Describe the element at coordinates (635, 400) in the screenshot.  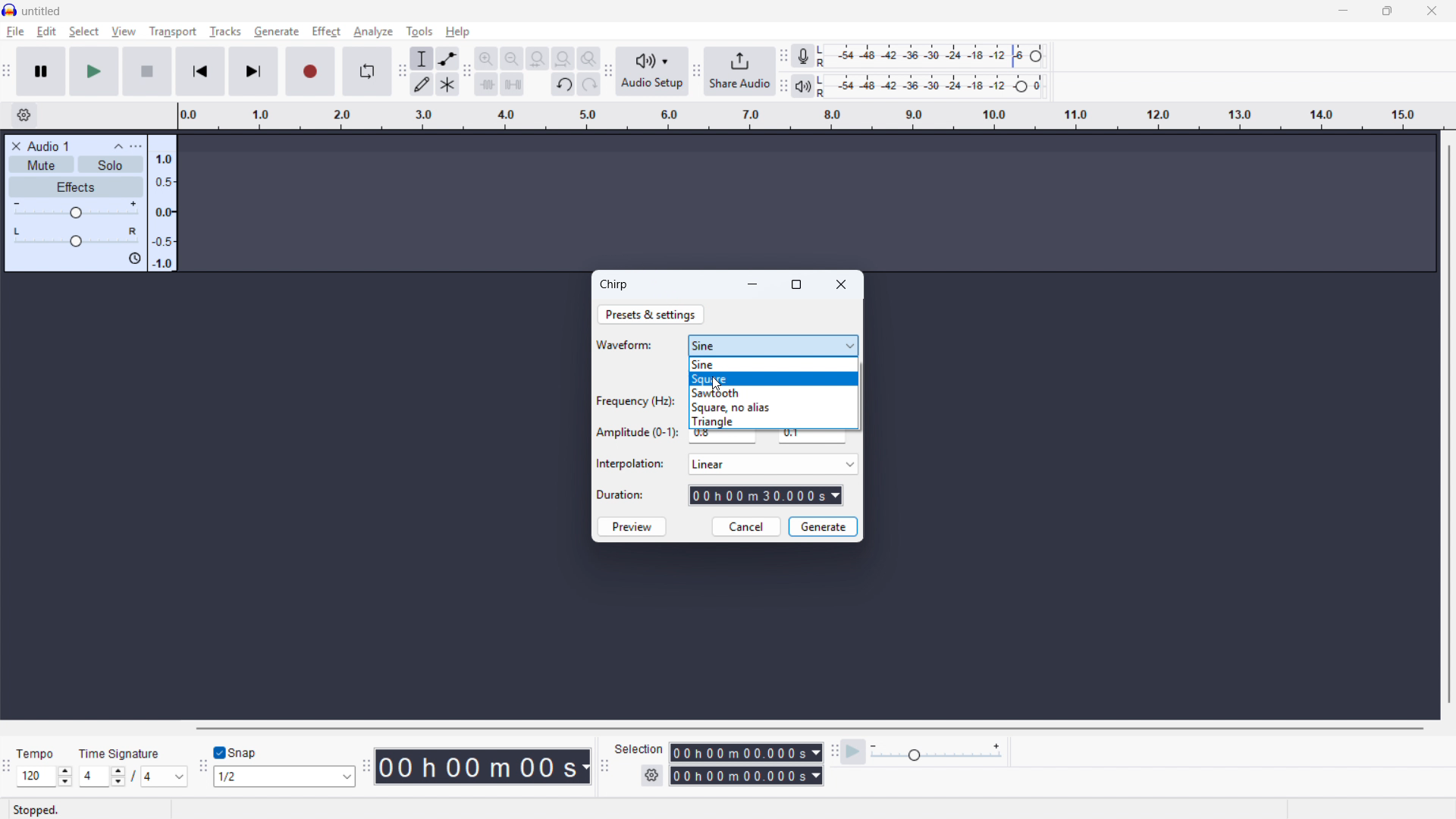
I see `Frequency (Hz)` at that location.